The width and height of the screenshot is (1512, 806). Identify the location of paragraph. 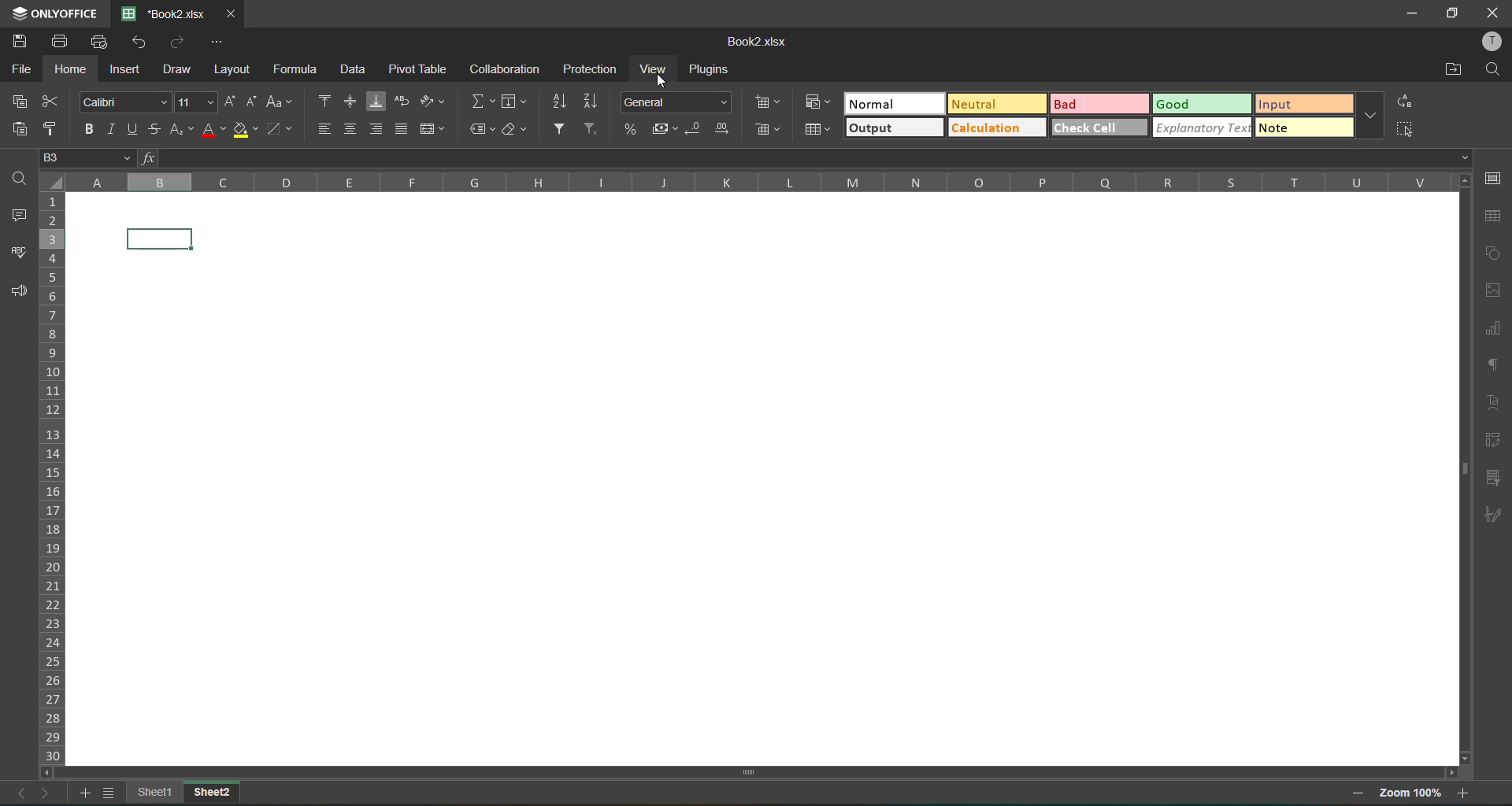
(1495, 364).